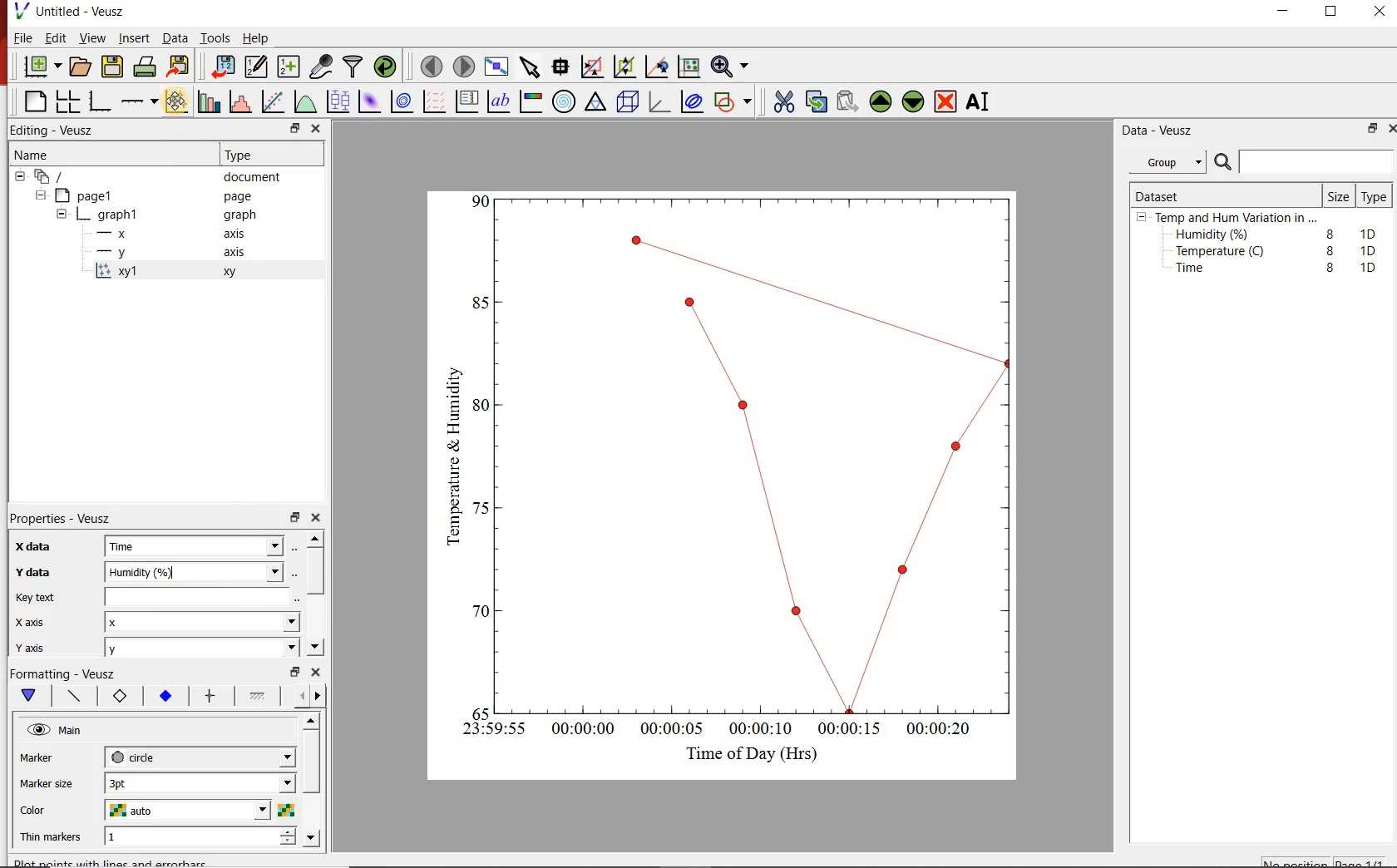 This screenshot has width=1397, height=868. Describe the element at coordinates (171, 38) in the screenshot. I see `Data` at that location.